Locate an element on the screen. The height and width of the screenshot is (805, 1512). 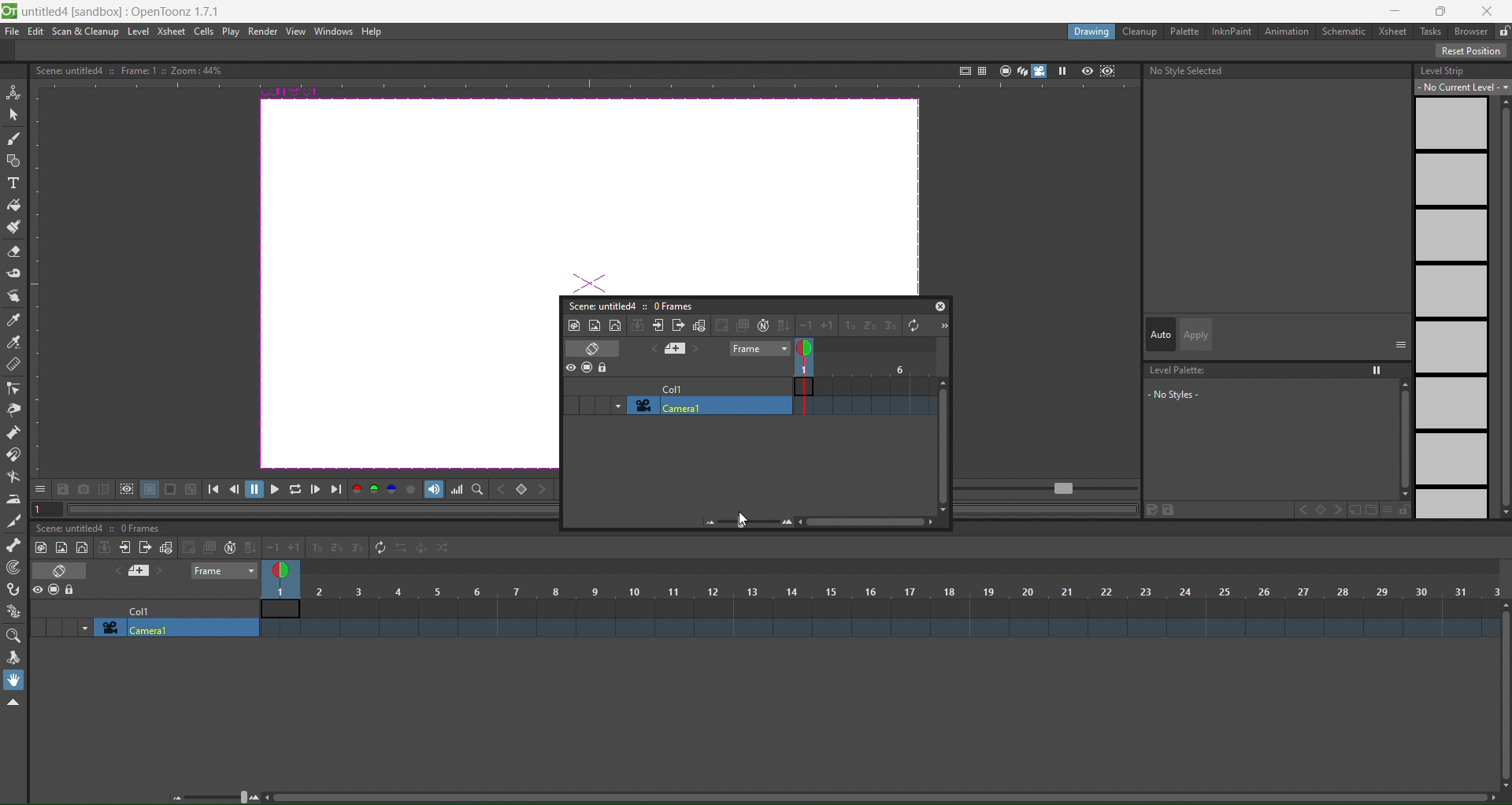
 is located at coordinates (743, 325).